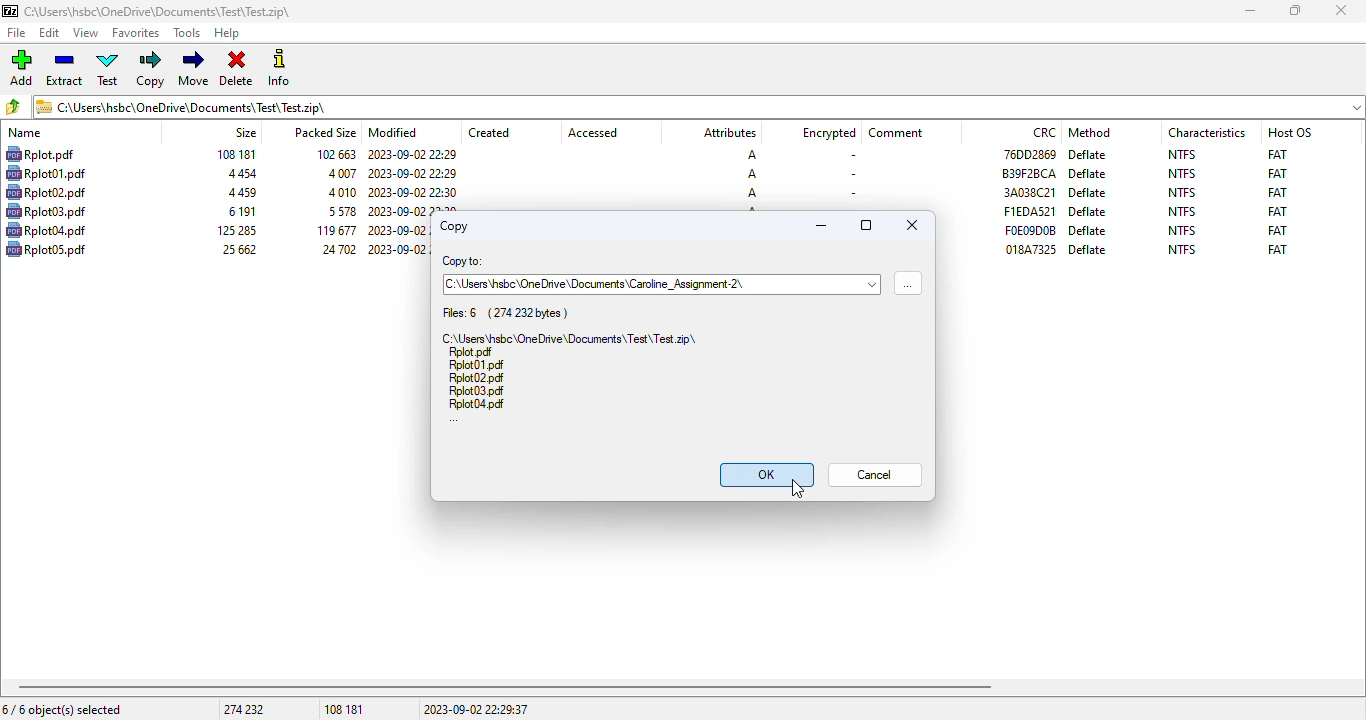  What do you see at coordinates (462, 262) in the screenshot?
I see `copy to: ` at bounding box center [462, 262].